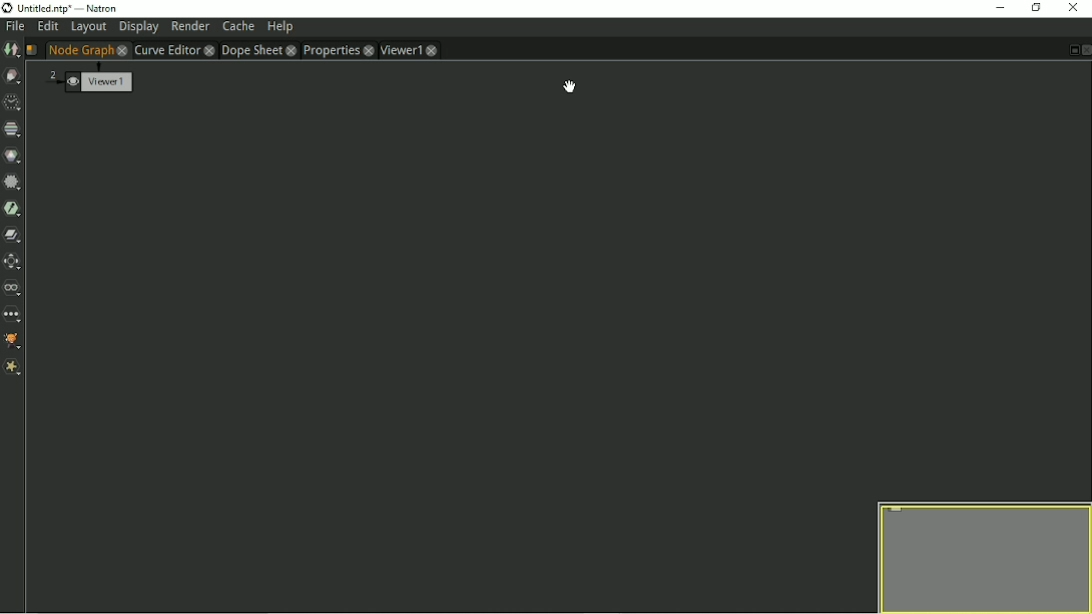 The image size is (1092, 614). What do you see at coordinates (13, 236) in the screenshot?
I see `Merge` at bounding box center [13, 236].